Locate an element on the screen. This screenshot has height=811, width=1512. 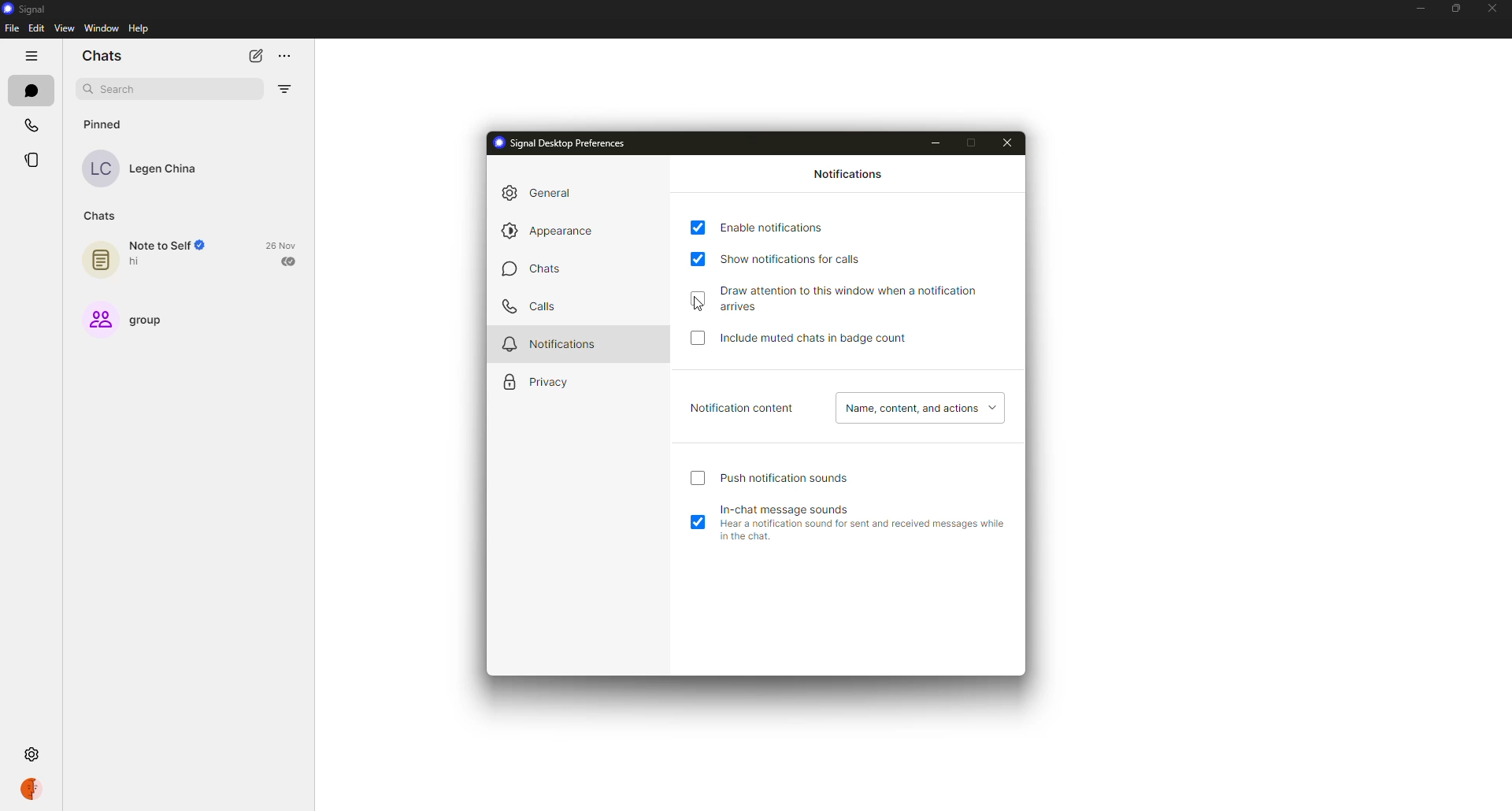
more is located at coordinates (294, 54).